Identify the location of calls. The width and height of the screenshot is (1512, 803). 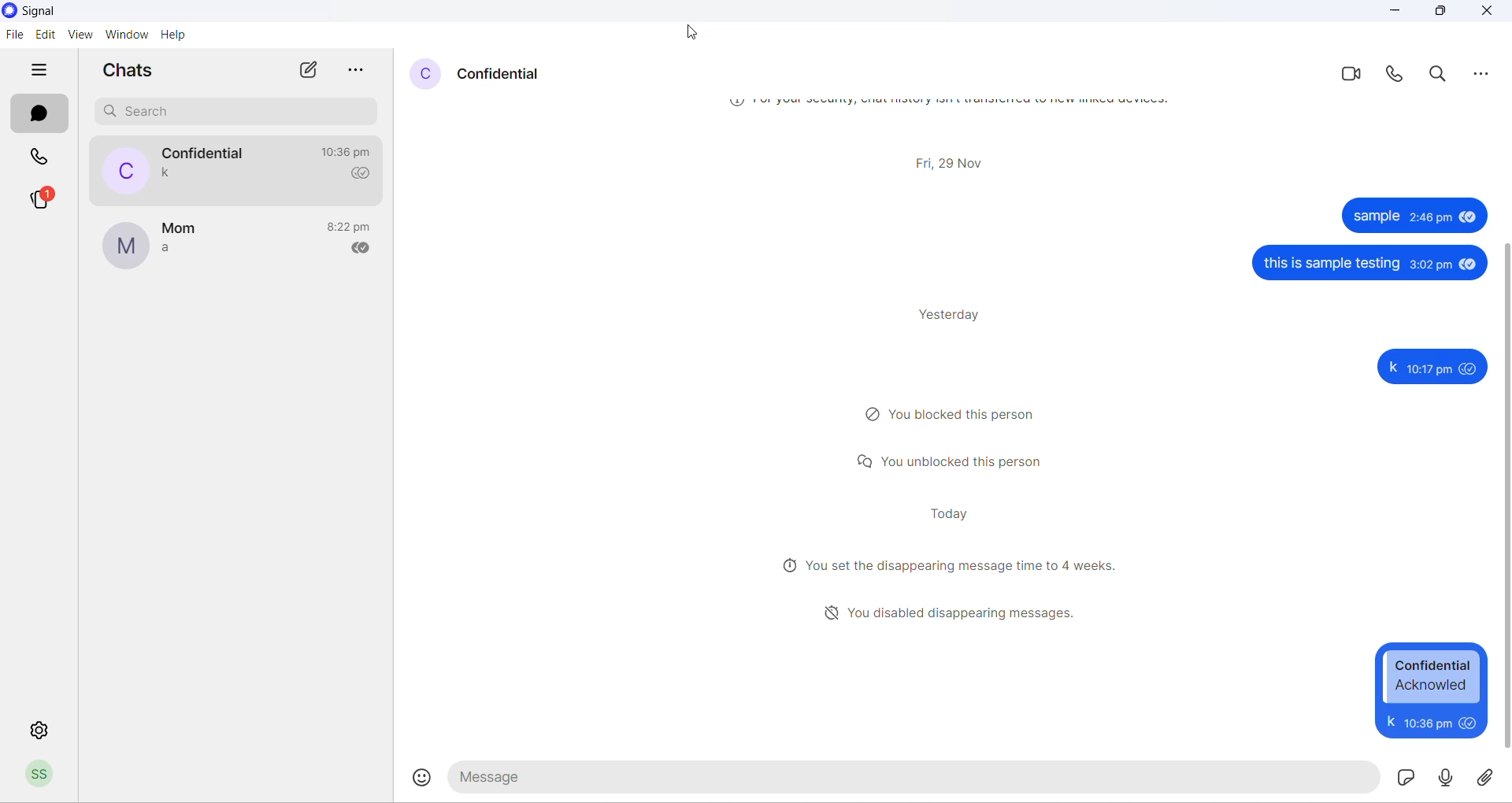
(44, 157).